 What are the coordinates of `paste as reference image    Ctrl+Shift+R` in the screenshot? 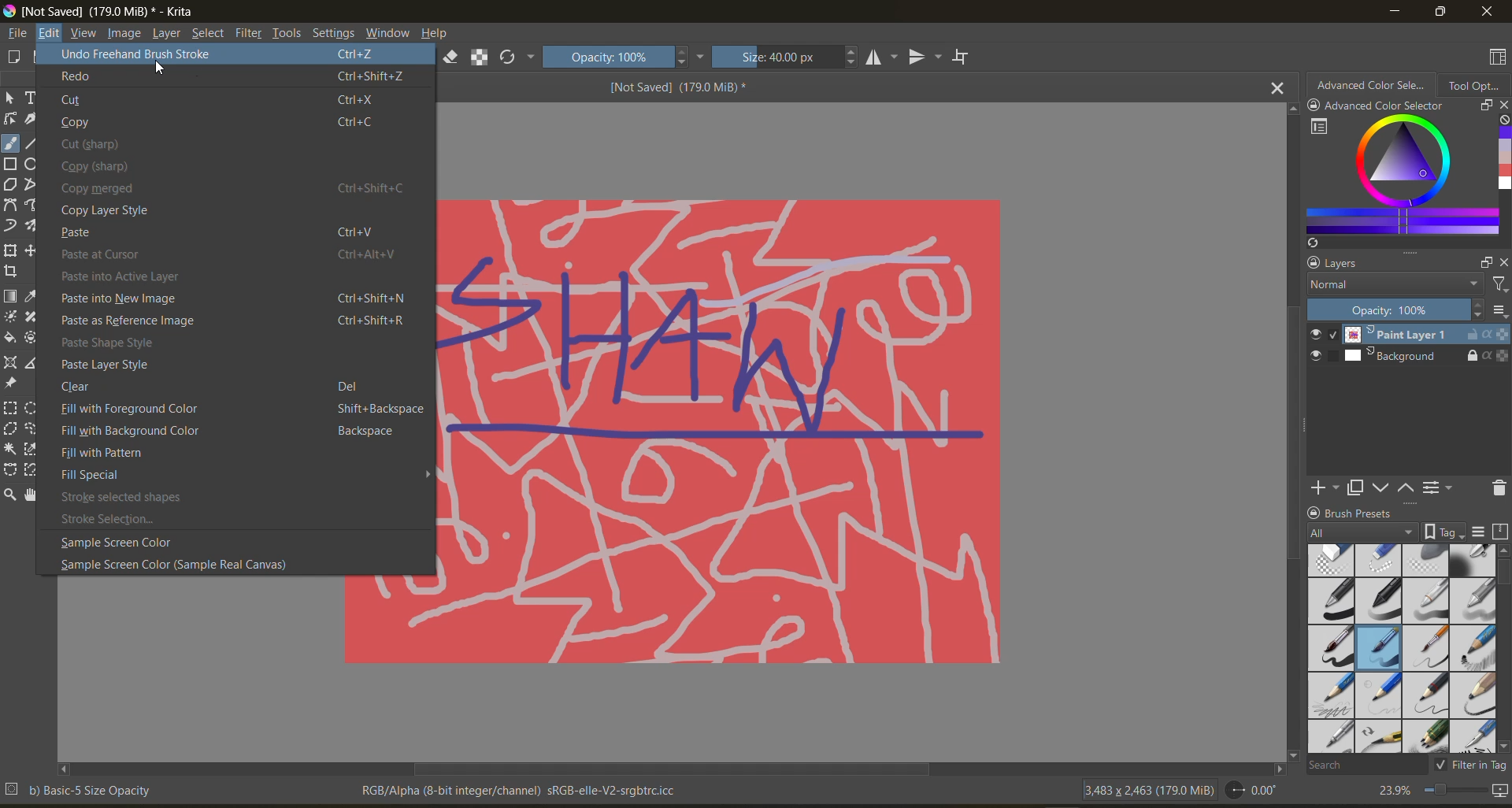 It's located at (236, 322).